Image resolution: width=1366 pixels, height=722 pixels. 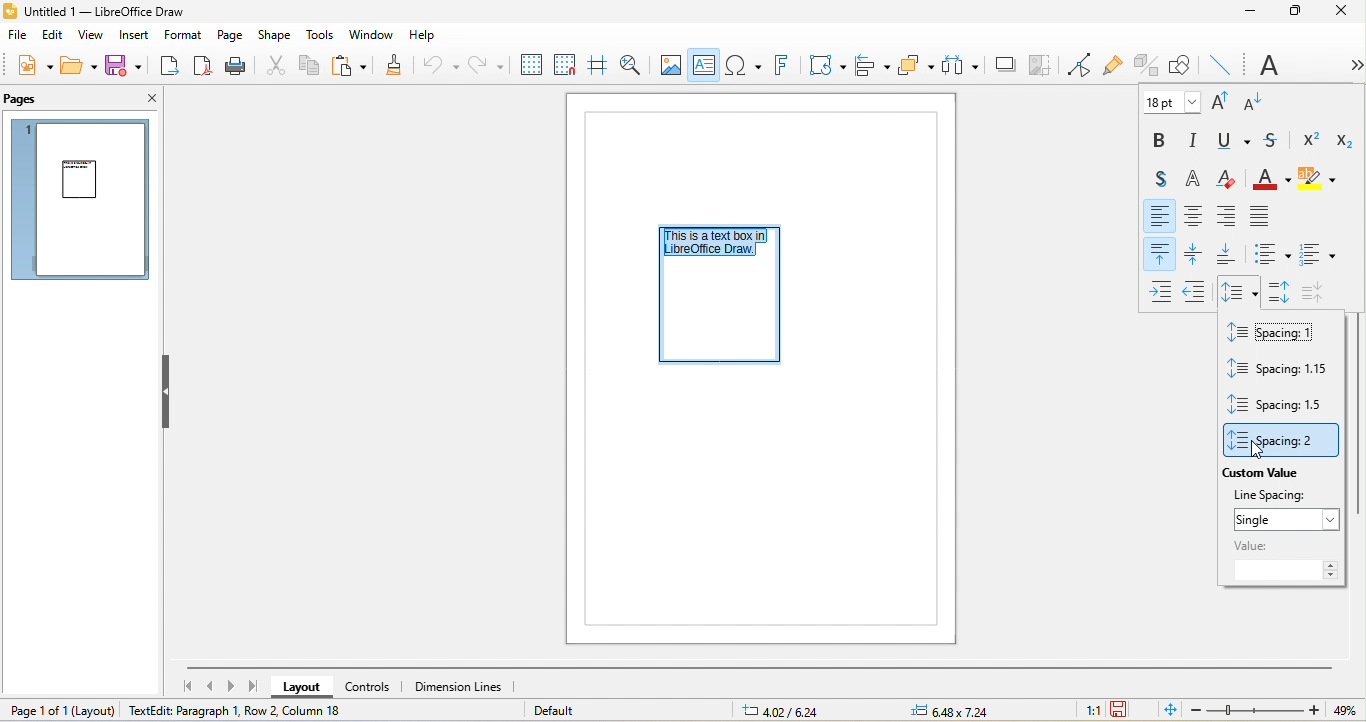 I want to click on first page, so click(x=181, y=685).